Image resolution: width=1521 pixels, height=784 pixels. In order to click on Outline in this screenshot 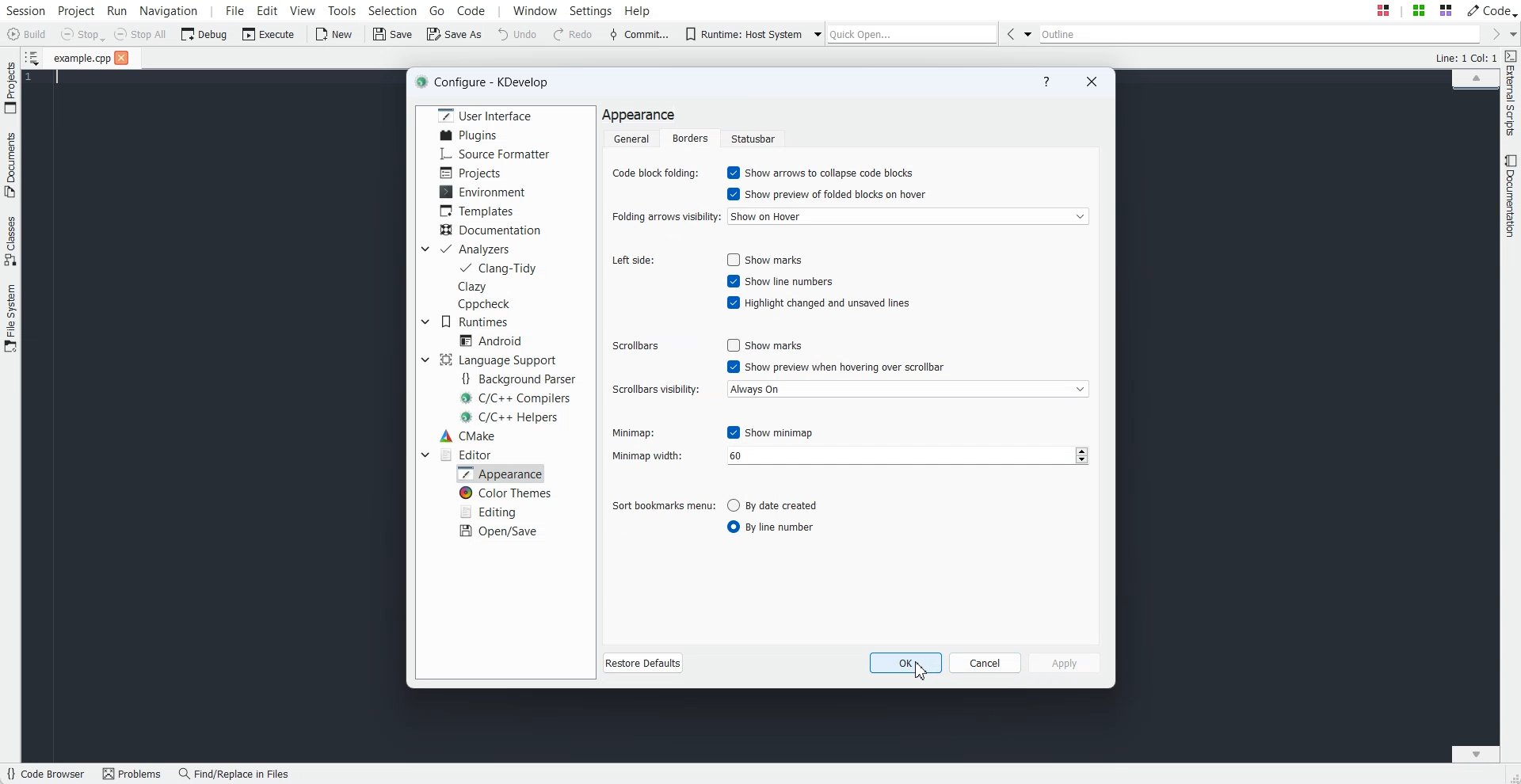, I will do `click(1259, 33)`.